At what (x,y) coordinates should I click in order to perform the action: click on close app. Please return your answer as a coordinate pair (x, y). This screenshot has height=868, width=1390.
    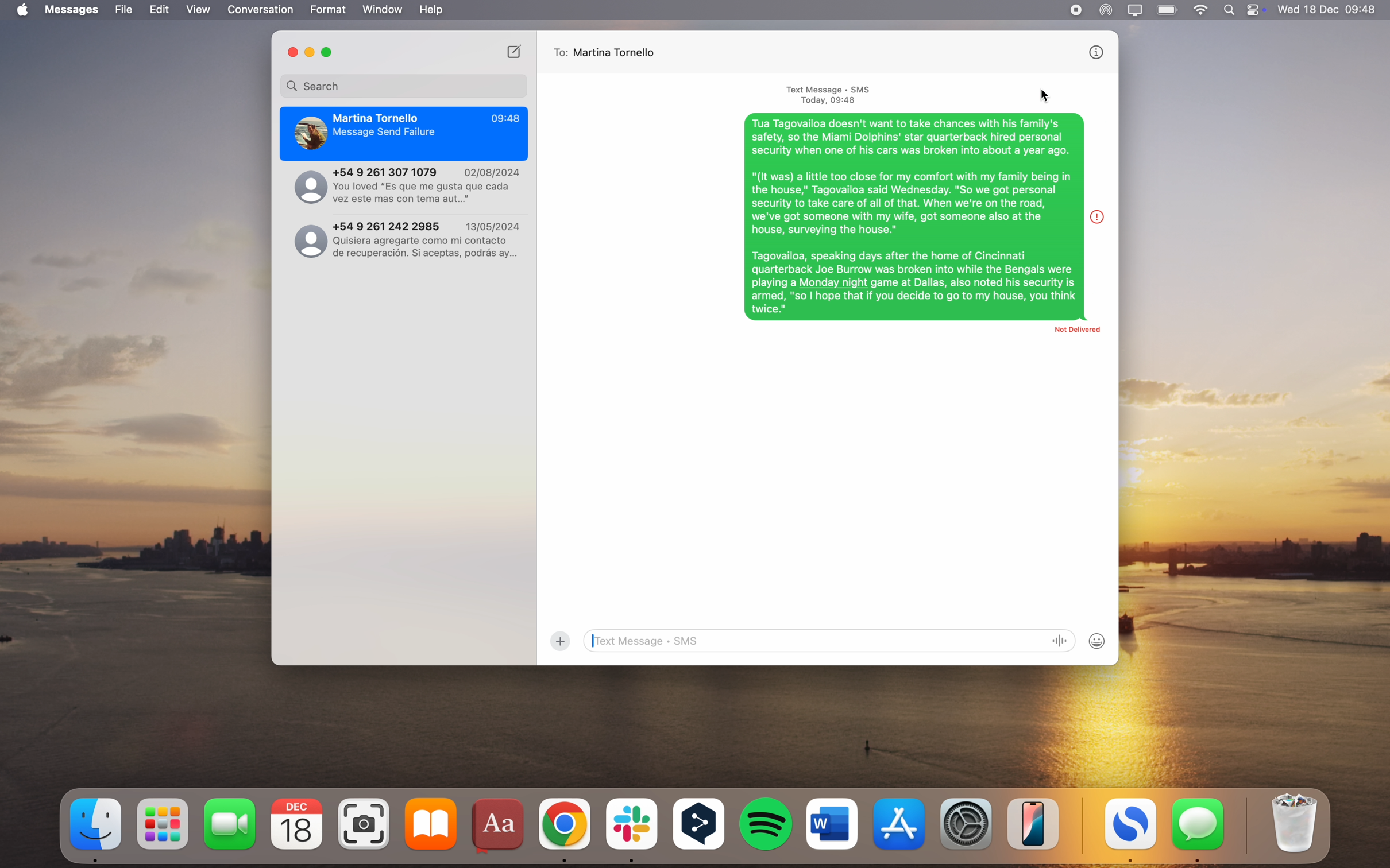
    Looking at the image, I should click on (291, 52).